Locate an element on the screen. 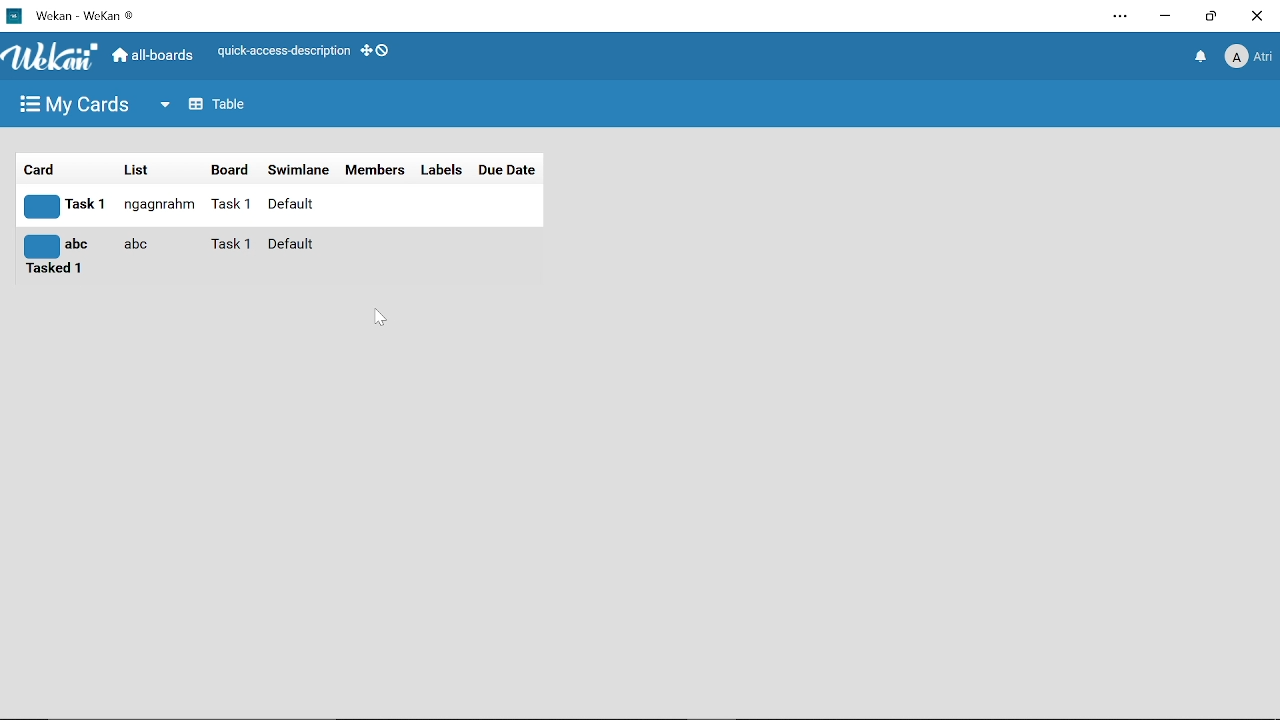 This screenshot has height=720, width=1280. More is located at coordinates (167, 104).